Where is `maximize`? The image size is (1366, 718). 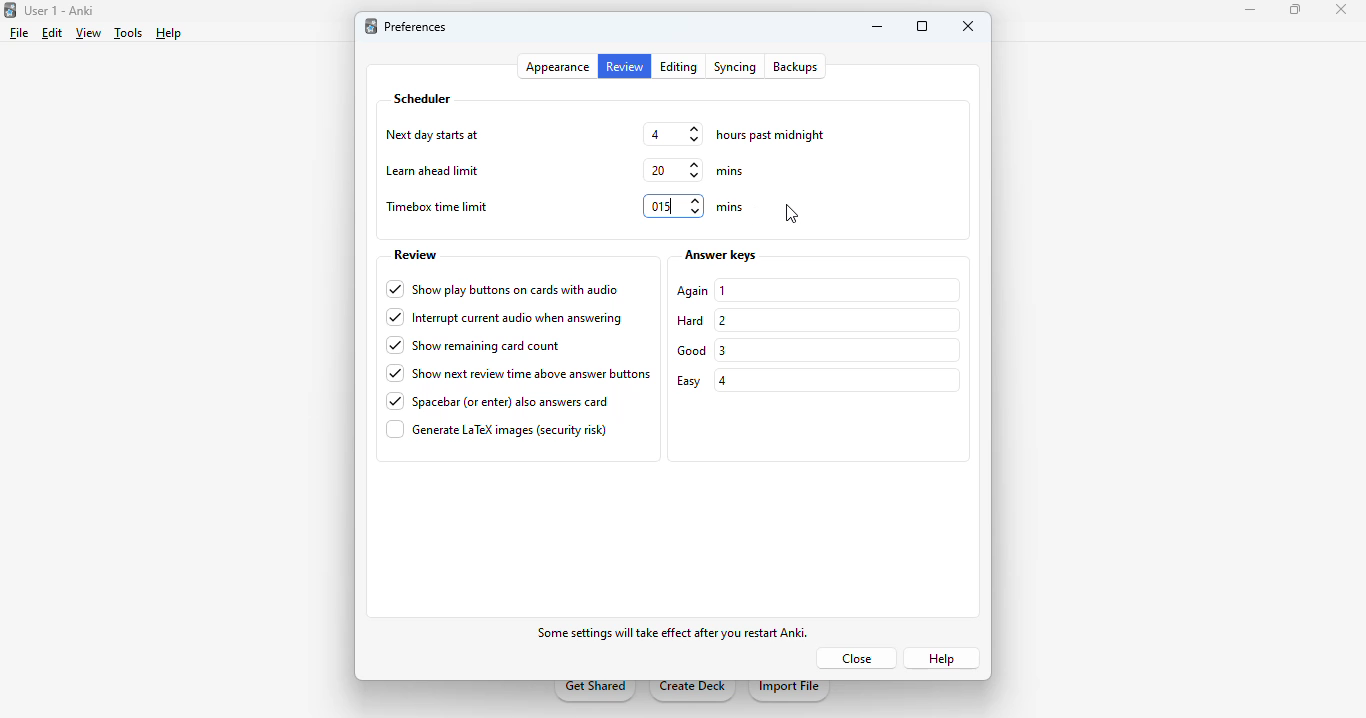
maximize is located at coordinates (923, 26).